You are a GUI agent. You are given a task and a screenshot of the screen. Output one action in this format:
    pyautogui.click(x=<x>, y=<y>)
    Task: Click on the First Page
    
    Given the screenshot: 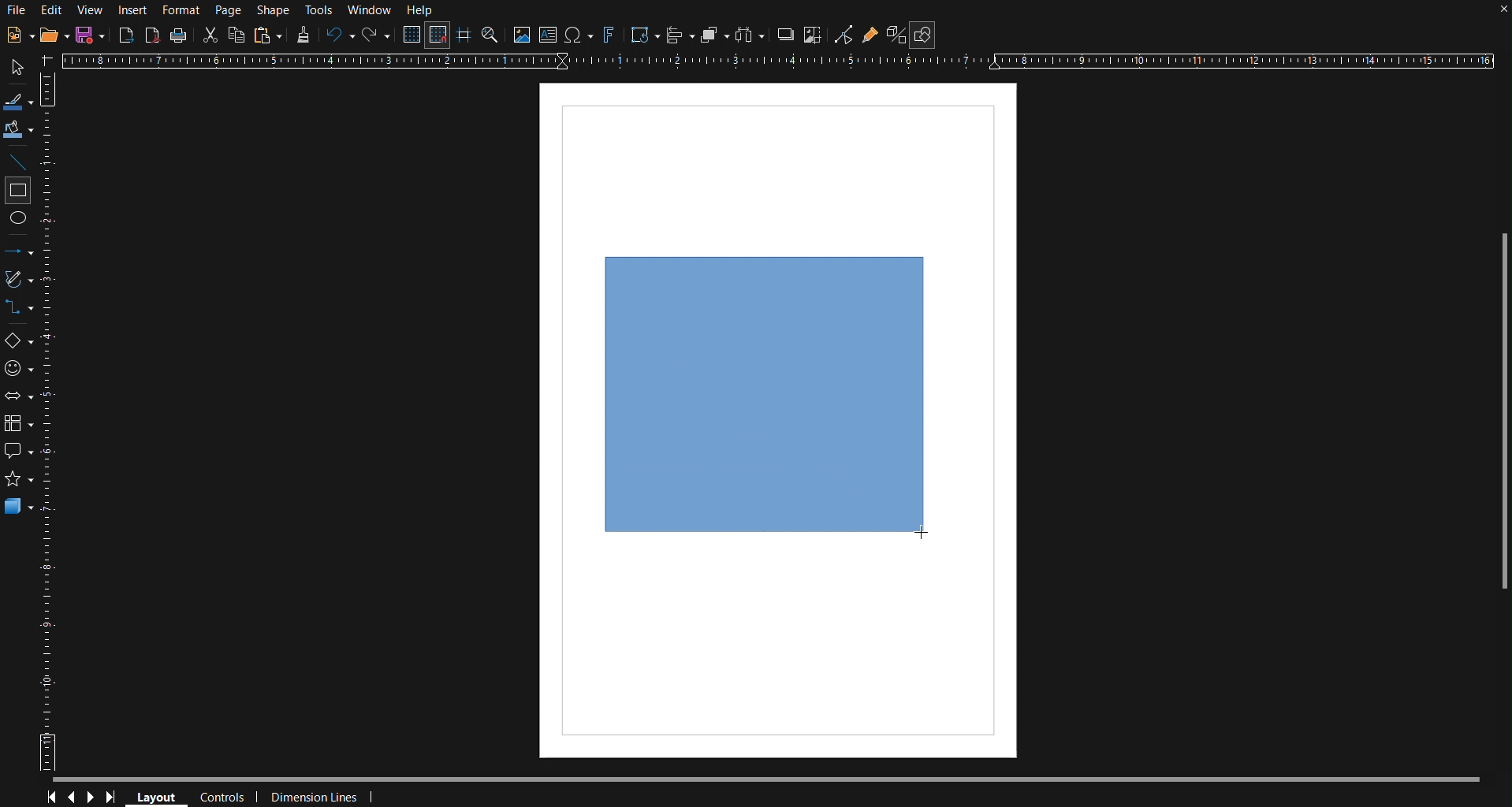 What is the action you would take?
    pyautogui.click(x=49, y=798)
    